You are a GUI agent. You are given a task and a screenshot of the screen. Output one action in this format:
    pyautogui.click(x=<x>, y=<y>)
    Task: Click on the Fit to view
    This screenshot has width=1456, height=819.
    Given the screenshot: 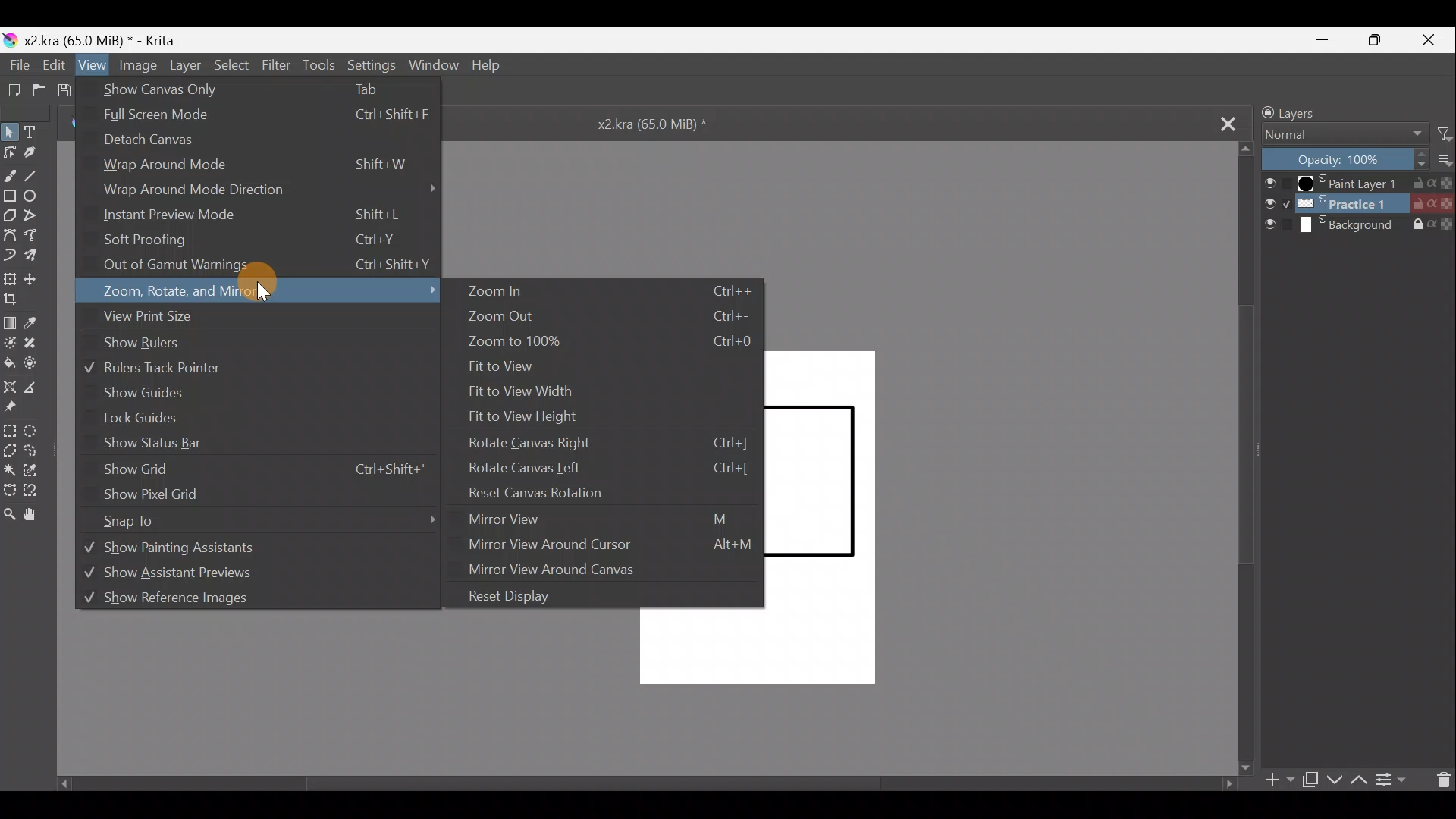 What is the action you would take?
    pyautogui.click(x=510, y=368)
    